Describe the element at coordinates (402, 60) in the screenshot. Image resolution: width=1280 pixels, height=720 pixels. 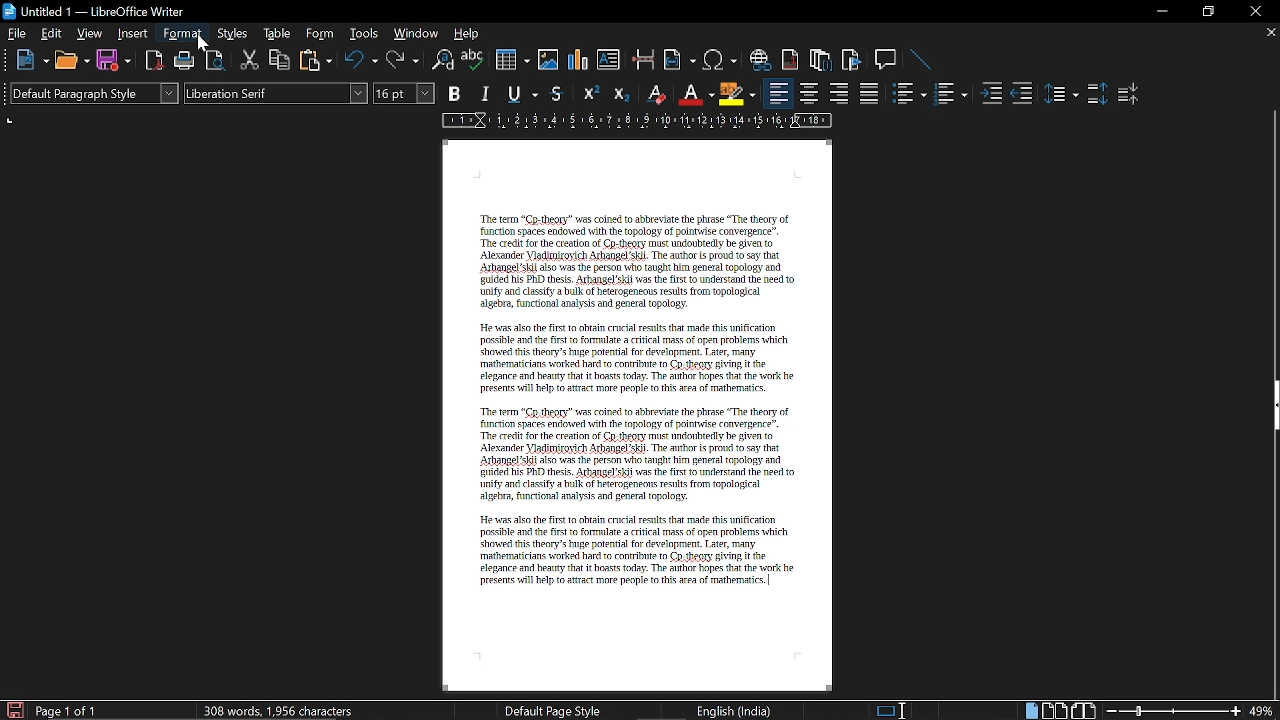
I see `Redo` at that location.